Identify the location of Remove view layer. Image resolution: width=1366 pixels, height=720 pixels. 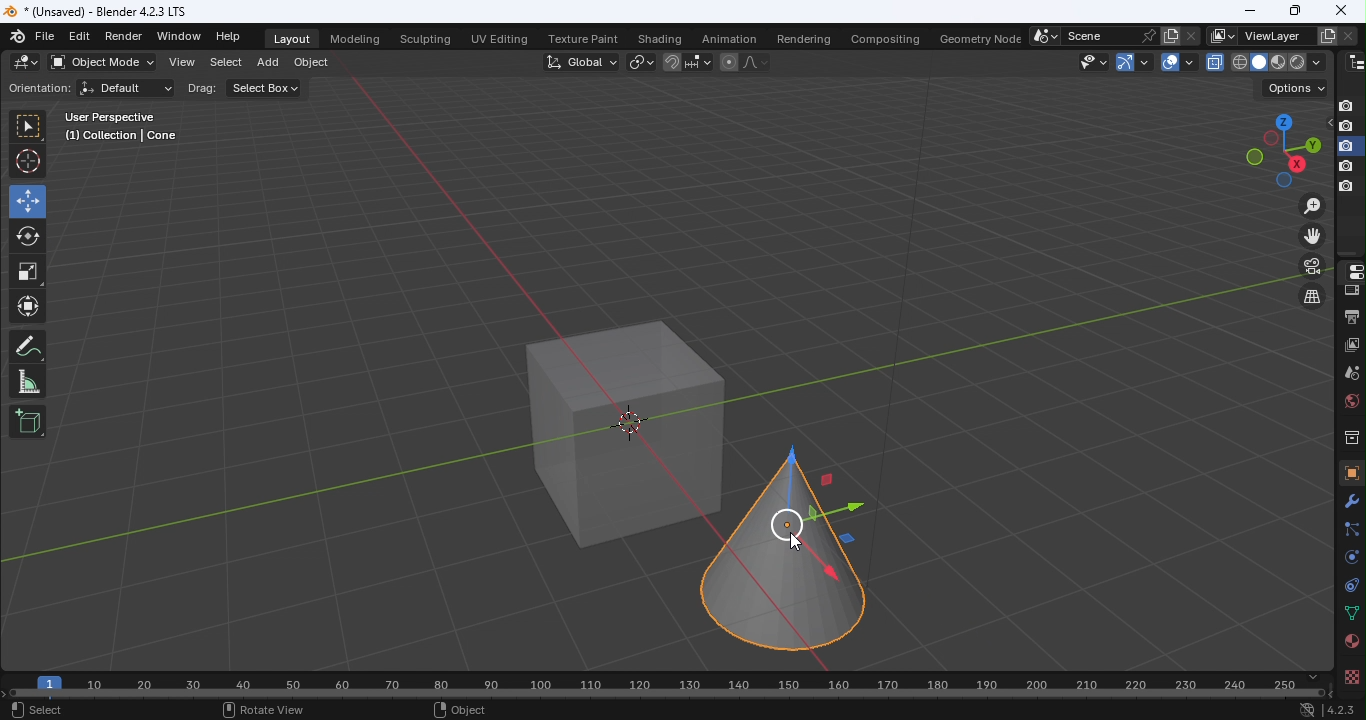
(1348, 33).